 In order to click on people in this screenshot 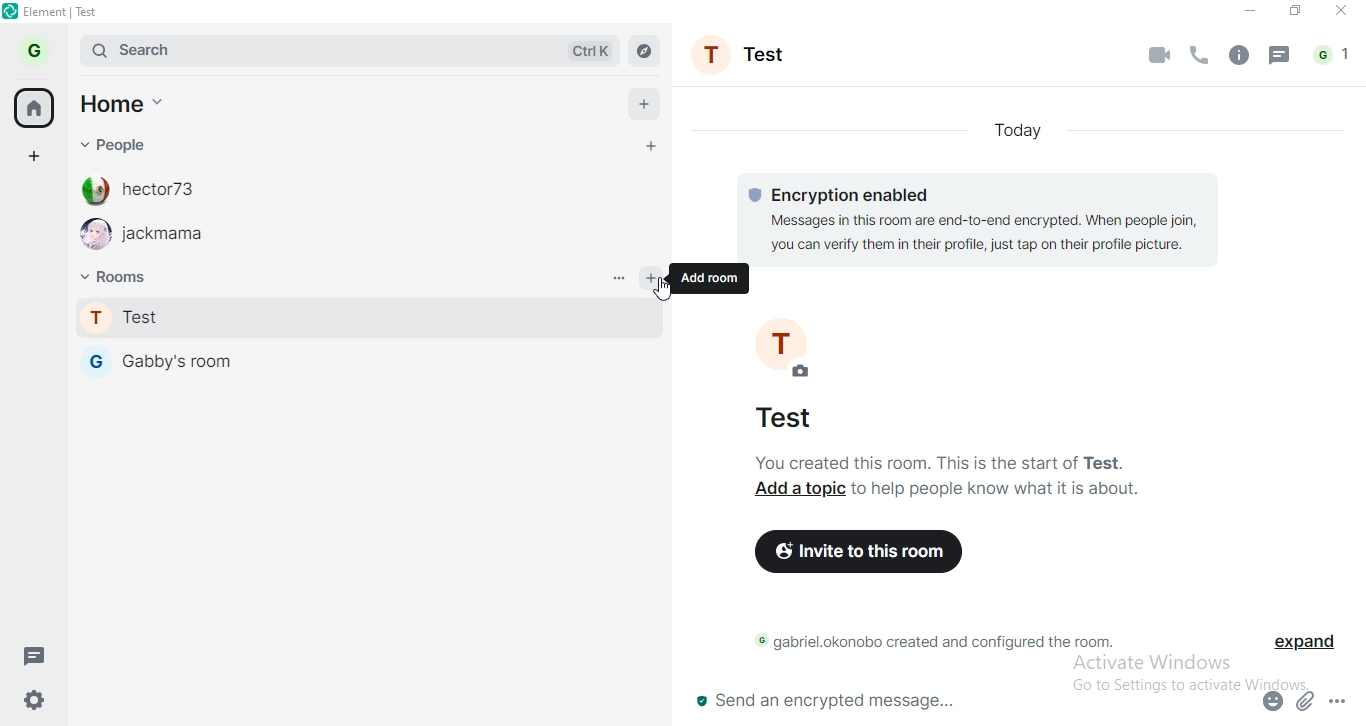, I will do `click(128, 142)`.